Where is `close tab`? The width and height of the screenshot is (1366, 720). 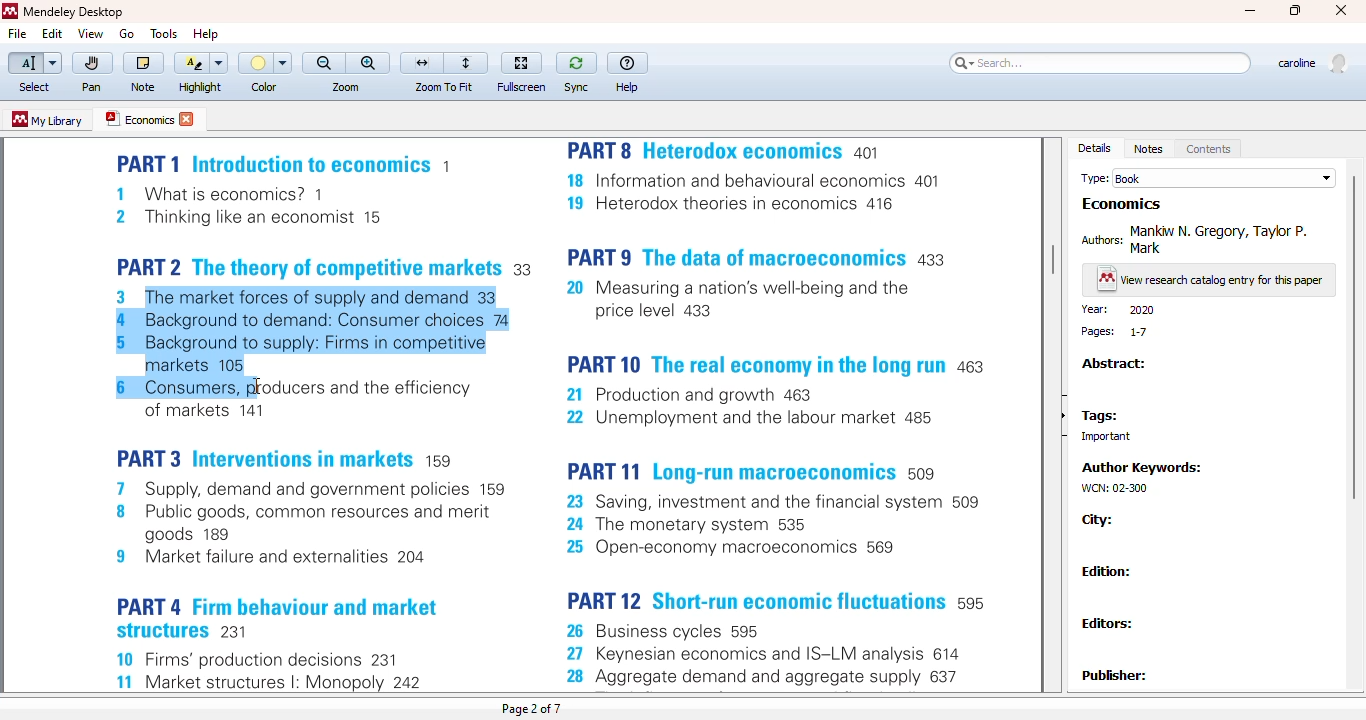 close tab is located at coordinates (188, 119).